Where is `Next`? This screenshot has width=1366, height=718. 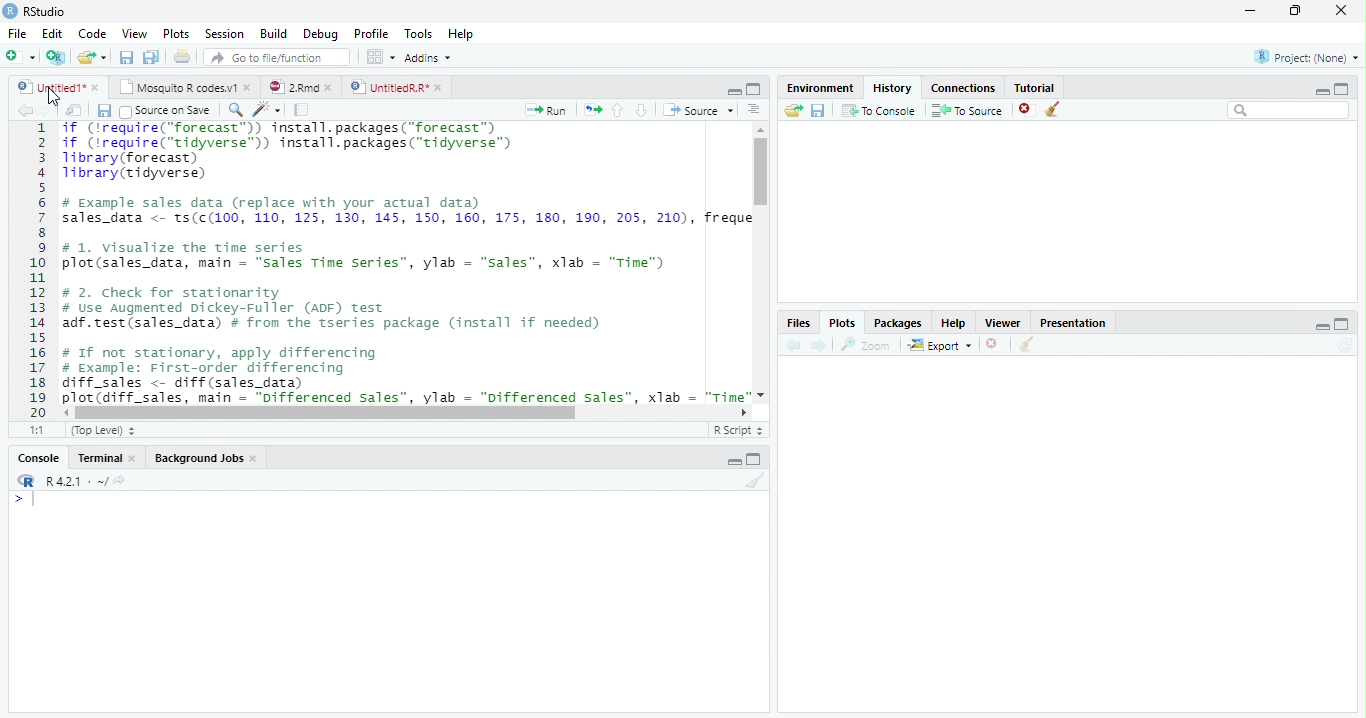 Next is located at coordinates (45, 110).